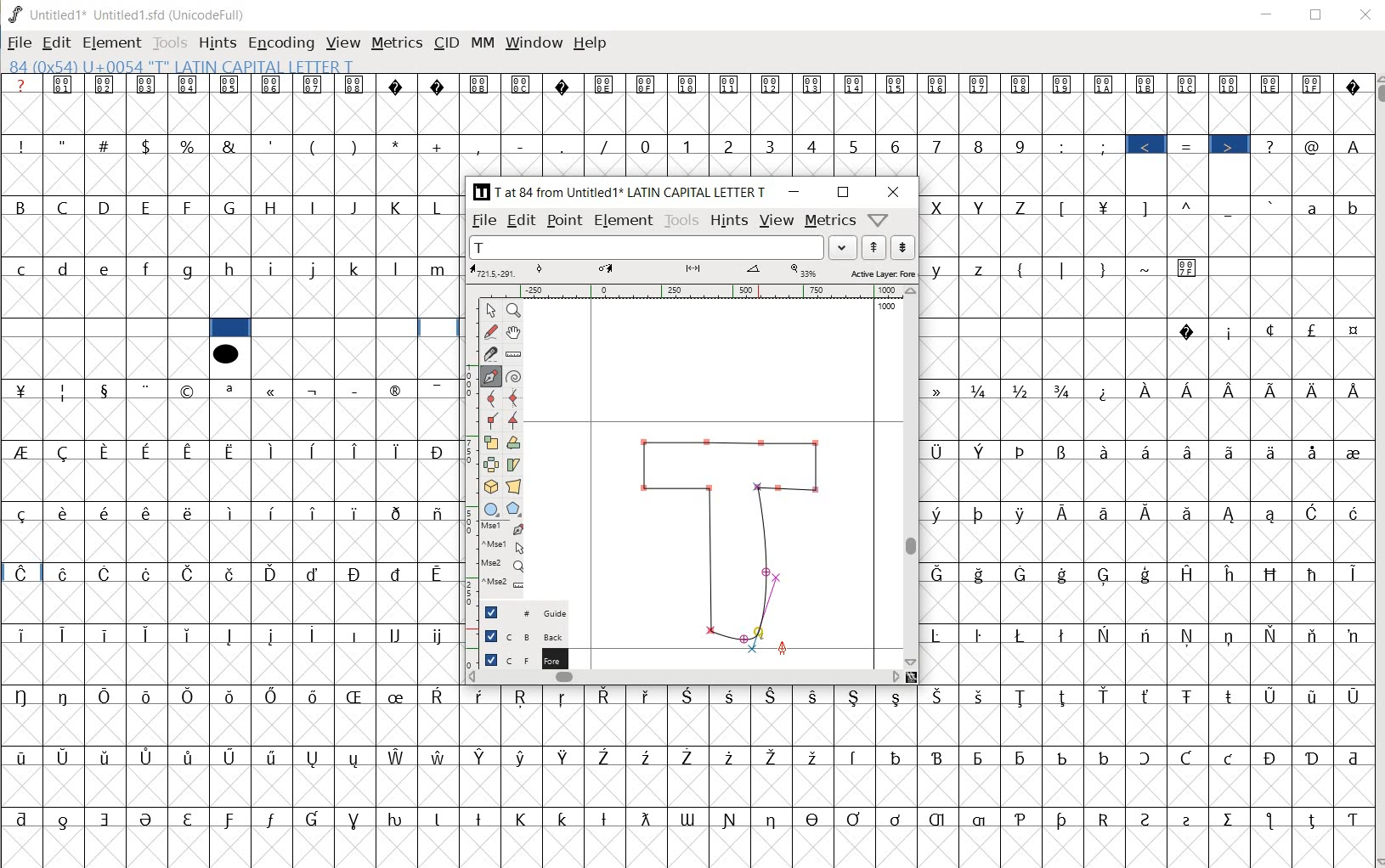 The image size is (1385, 868). I want to click on Symbol, so click(65, 820).